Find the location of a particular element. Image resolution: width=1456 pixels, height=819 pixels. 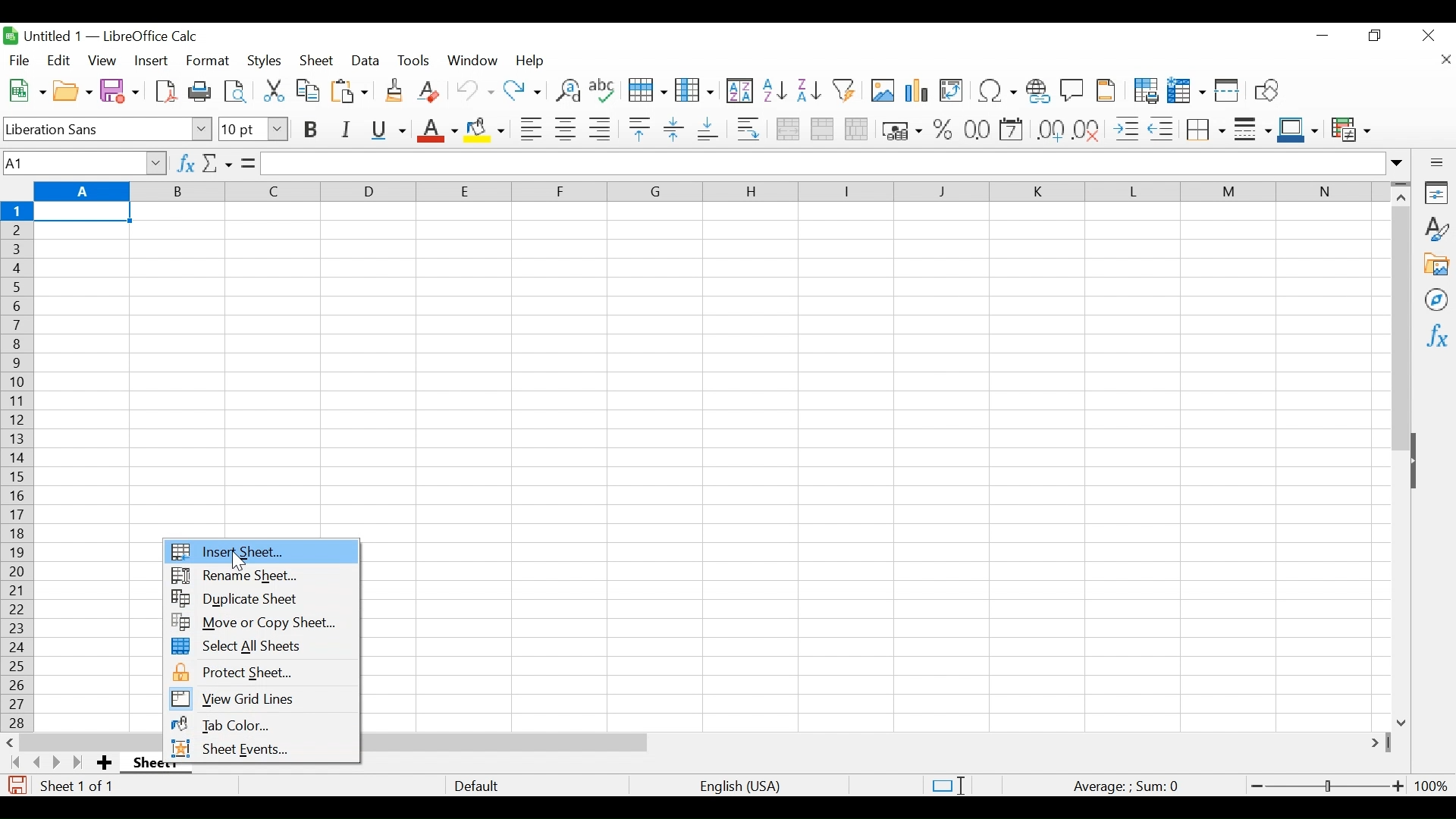

Rename Sheet is located at coordinates (263, 576).